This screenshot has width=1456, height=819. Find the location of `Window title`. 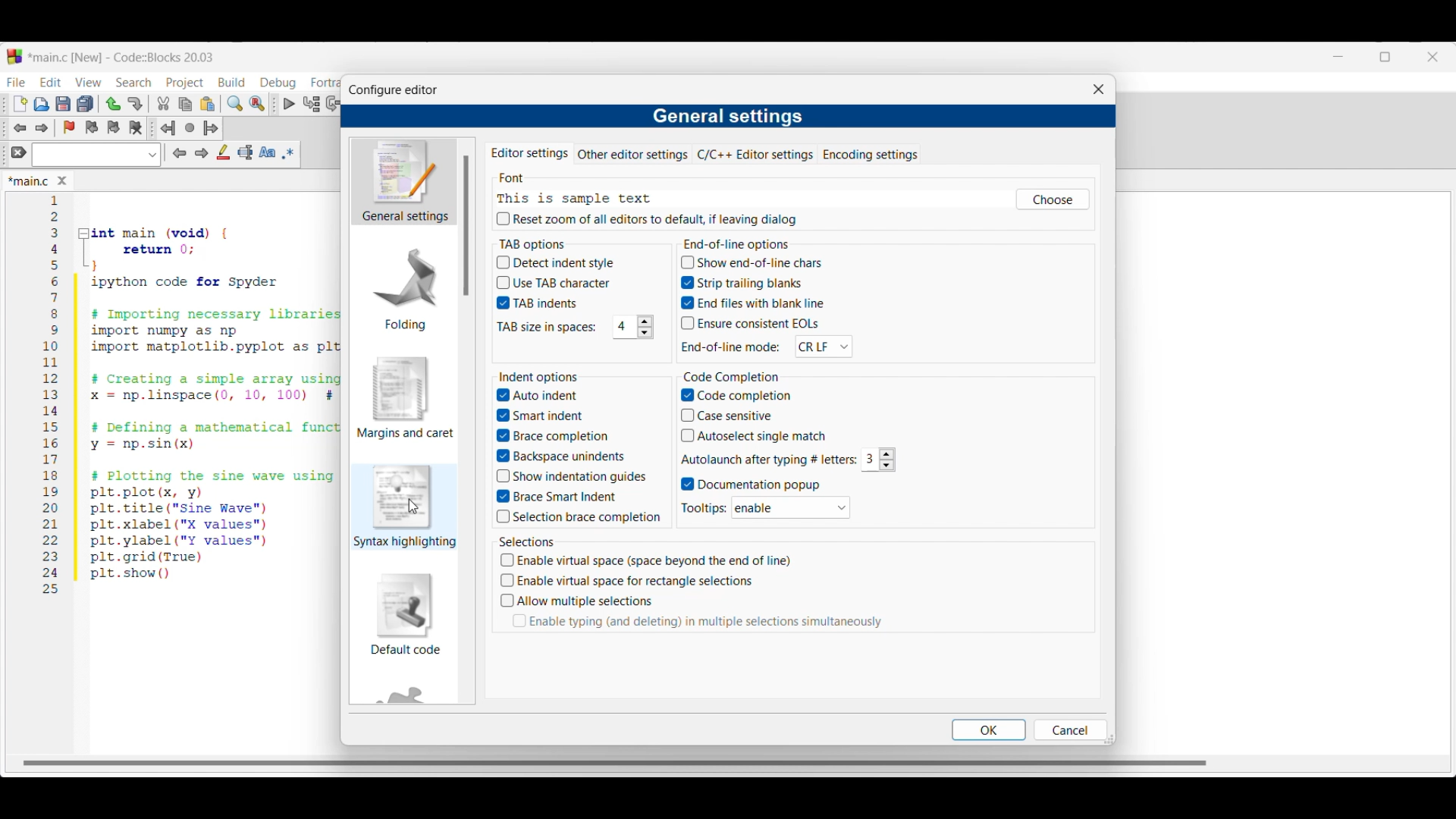

Window title is located at coordinates (393, 90).